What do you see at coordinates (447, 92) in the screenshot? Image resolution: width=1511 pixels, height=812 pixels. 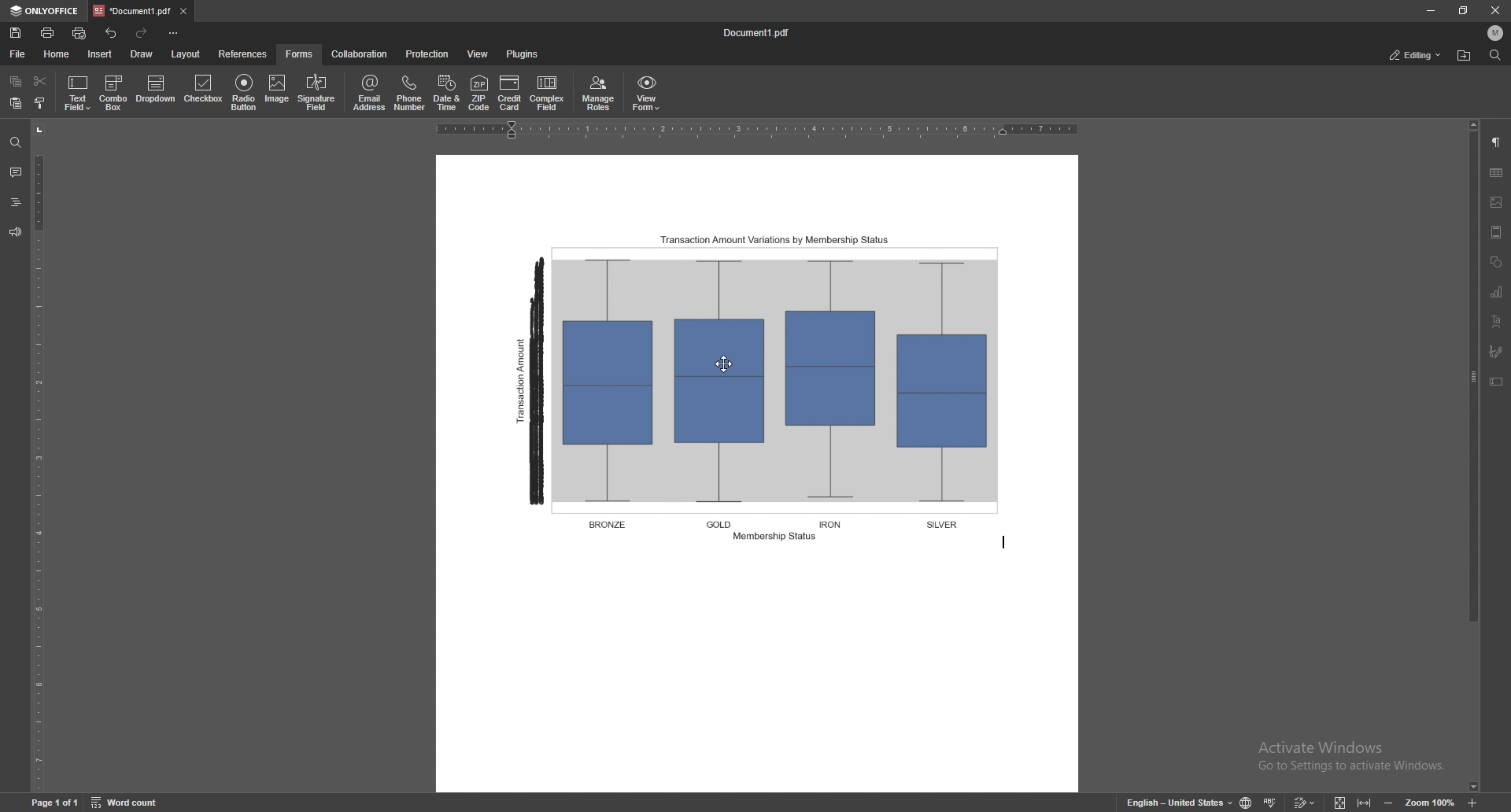 I see `date and time` at bounding box center [447, 92].